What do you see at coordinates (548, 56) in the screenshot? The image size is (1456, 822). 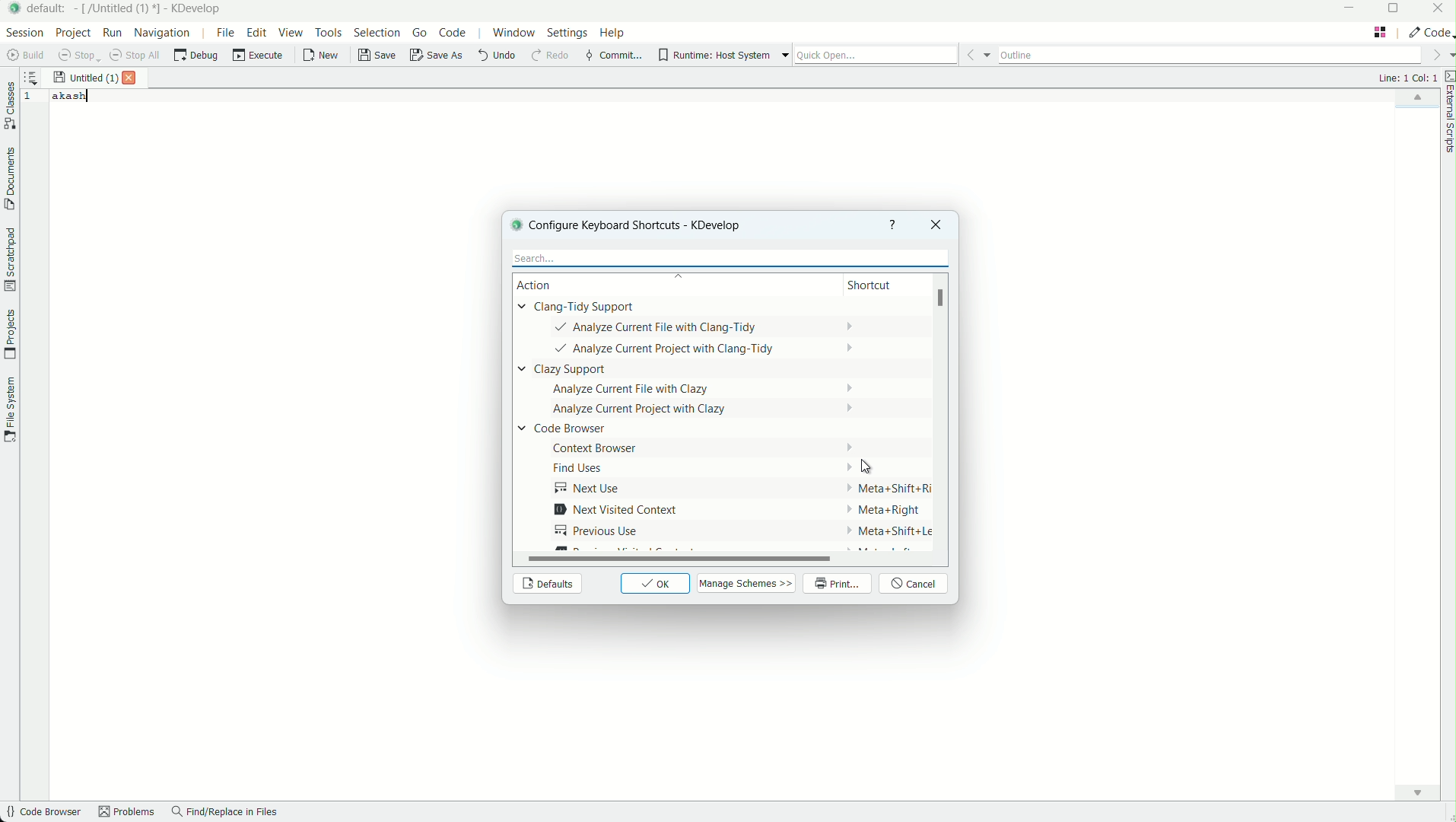 I see `redo` at bounding box center [548, 56].